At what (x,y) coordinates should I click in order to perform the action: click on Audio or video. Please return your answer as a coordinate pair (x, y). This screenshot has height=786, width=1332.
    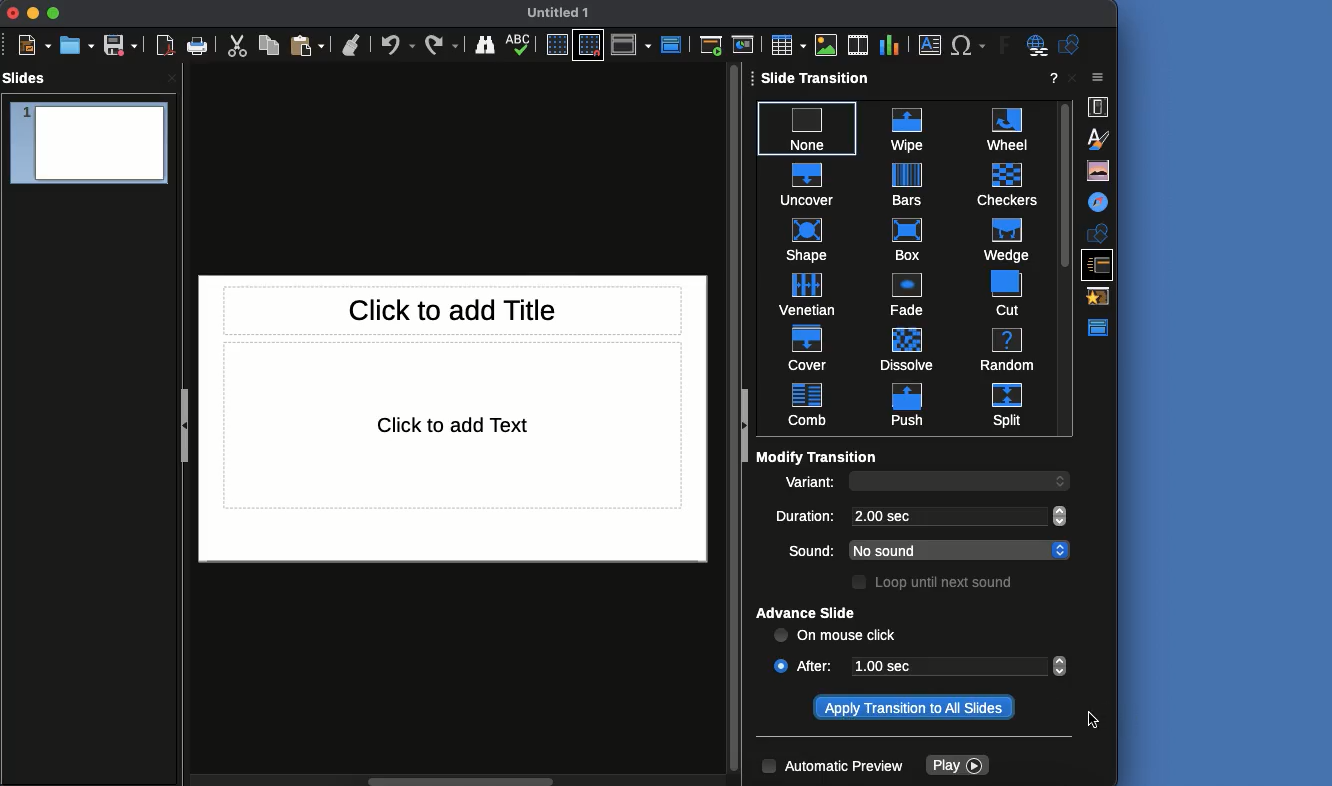
    Looking at the image, I should click on (857, 43).